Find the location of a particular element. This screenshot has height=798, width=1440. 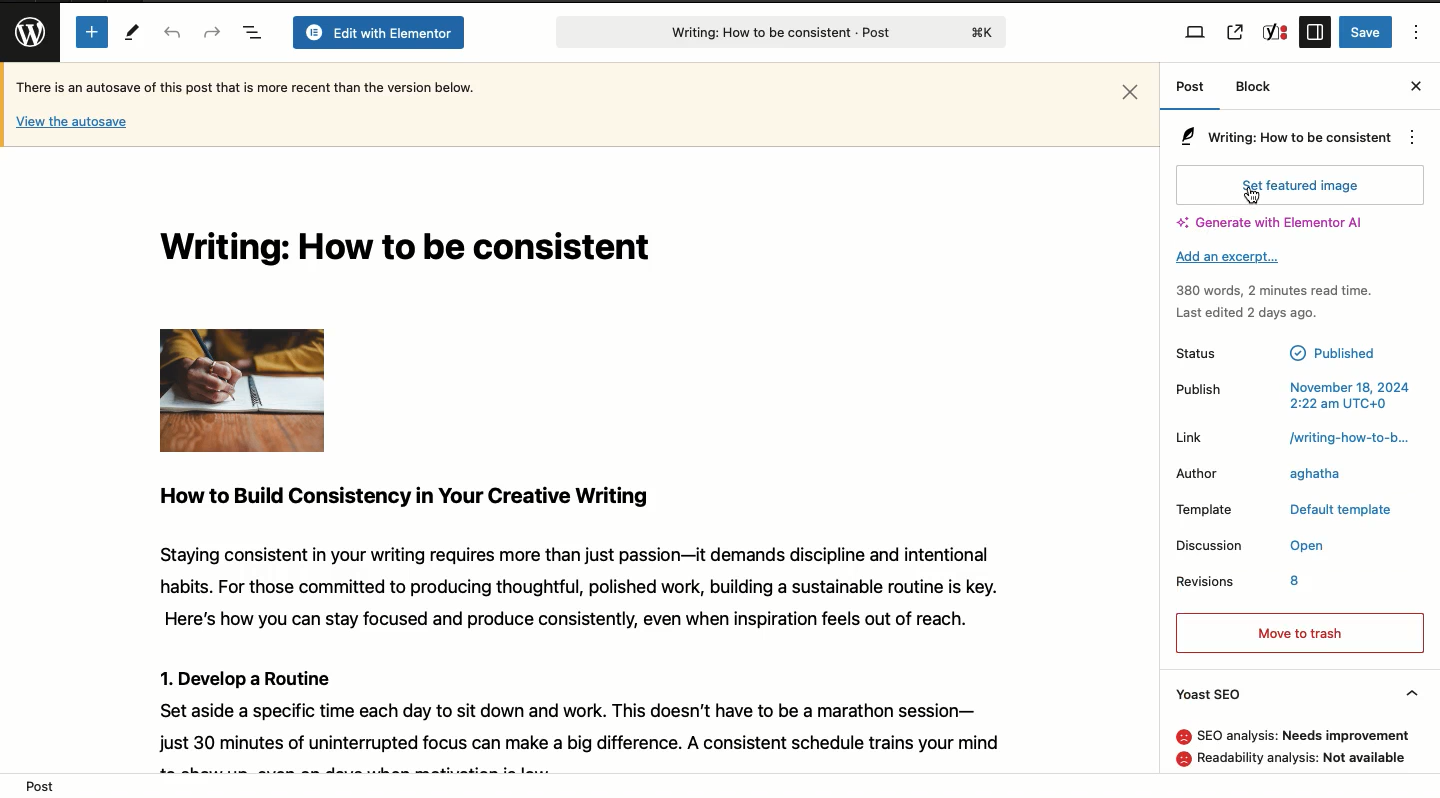

Redo is located at coordinates (212, 31).